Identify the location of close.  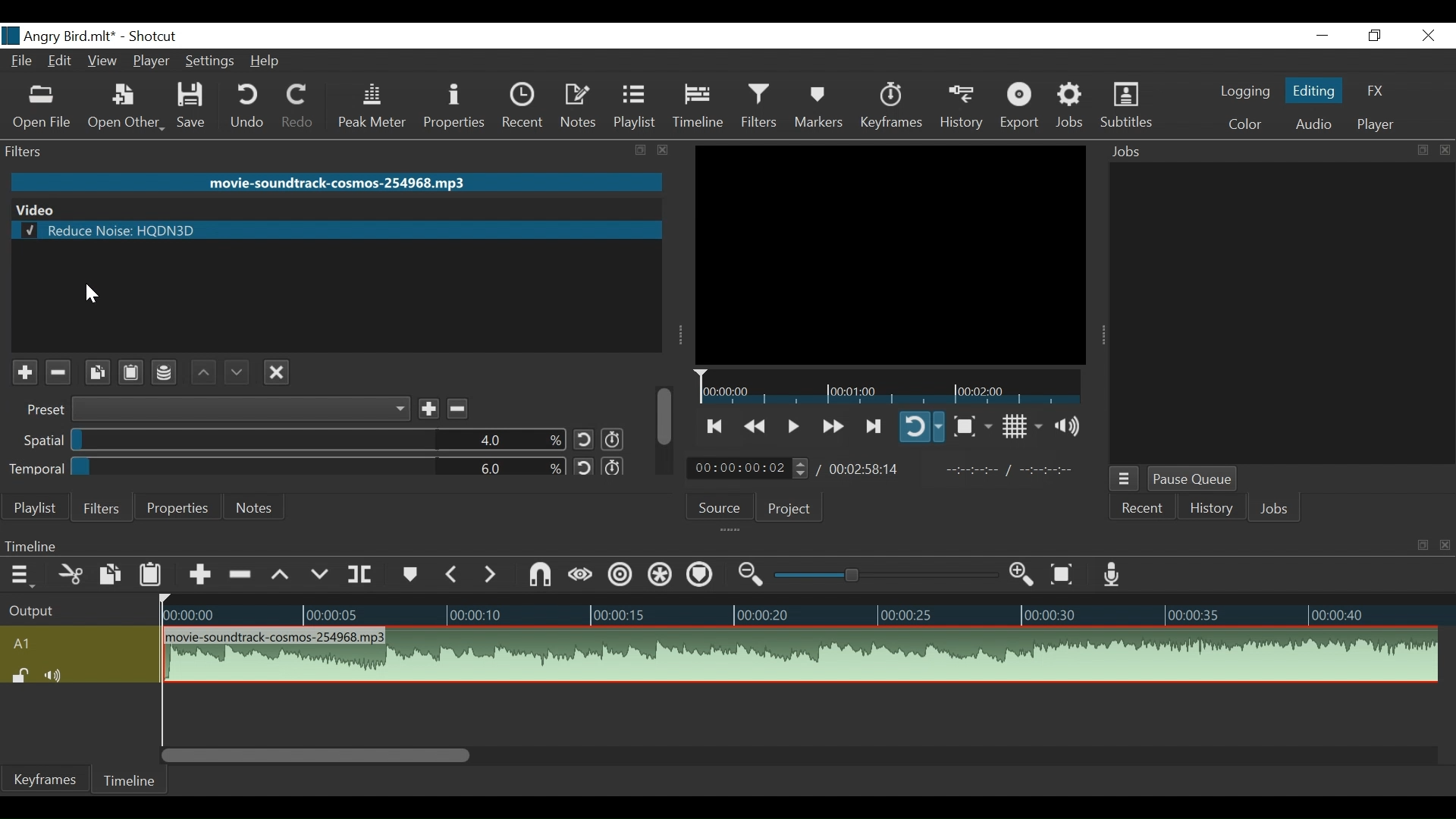
(1442, 544).